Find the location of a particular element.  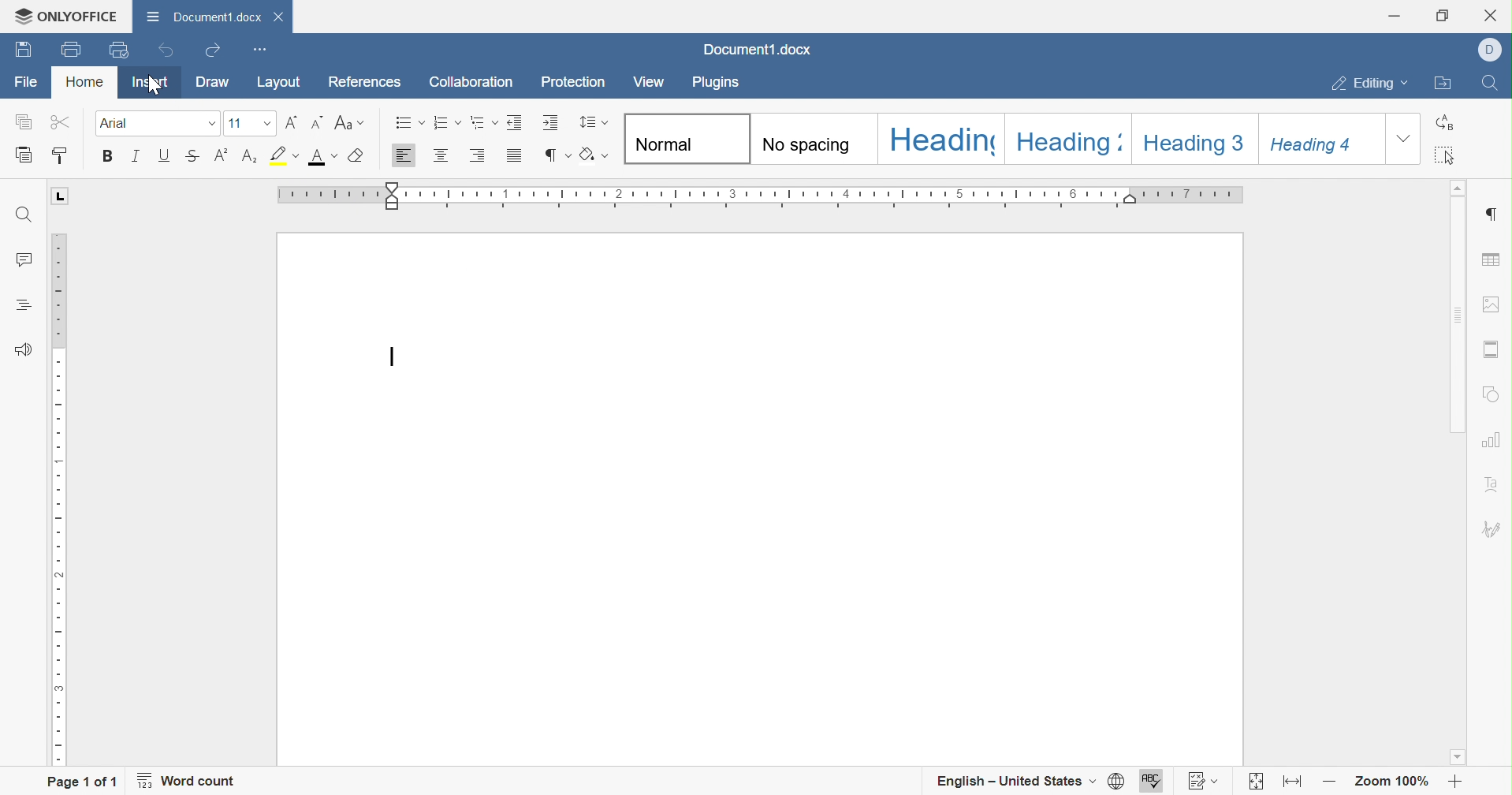

Close is located at coordinates (282, 16).